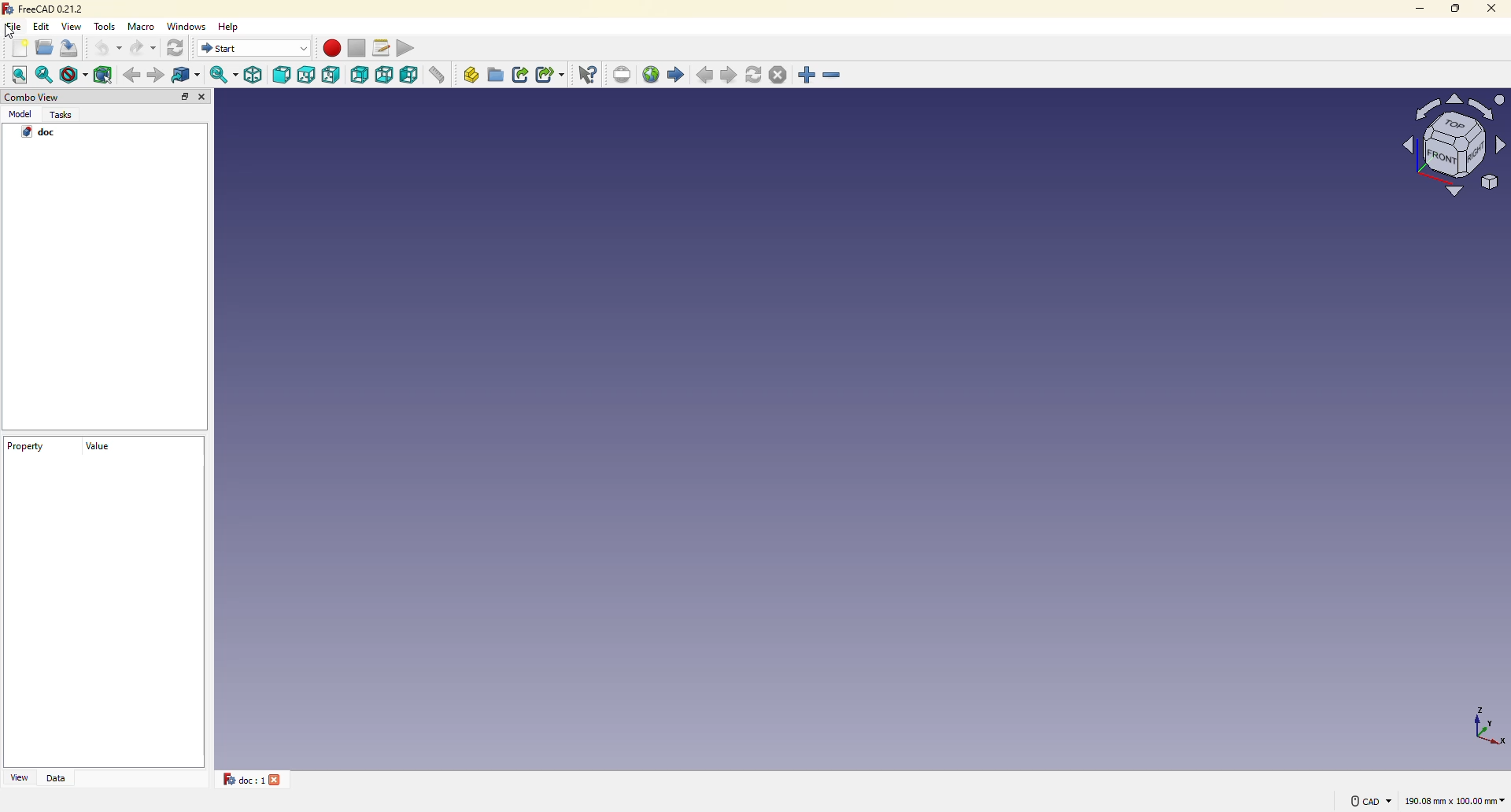 This screenshot has height=812, width=1511. Describe the element at coordinates (550, 76) in the screenshot. I see `make sub link` at that location.